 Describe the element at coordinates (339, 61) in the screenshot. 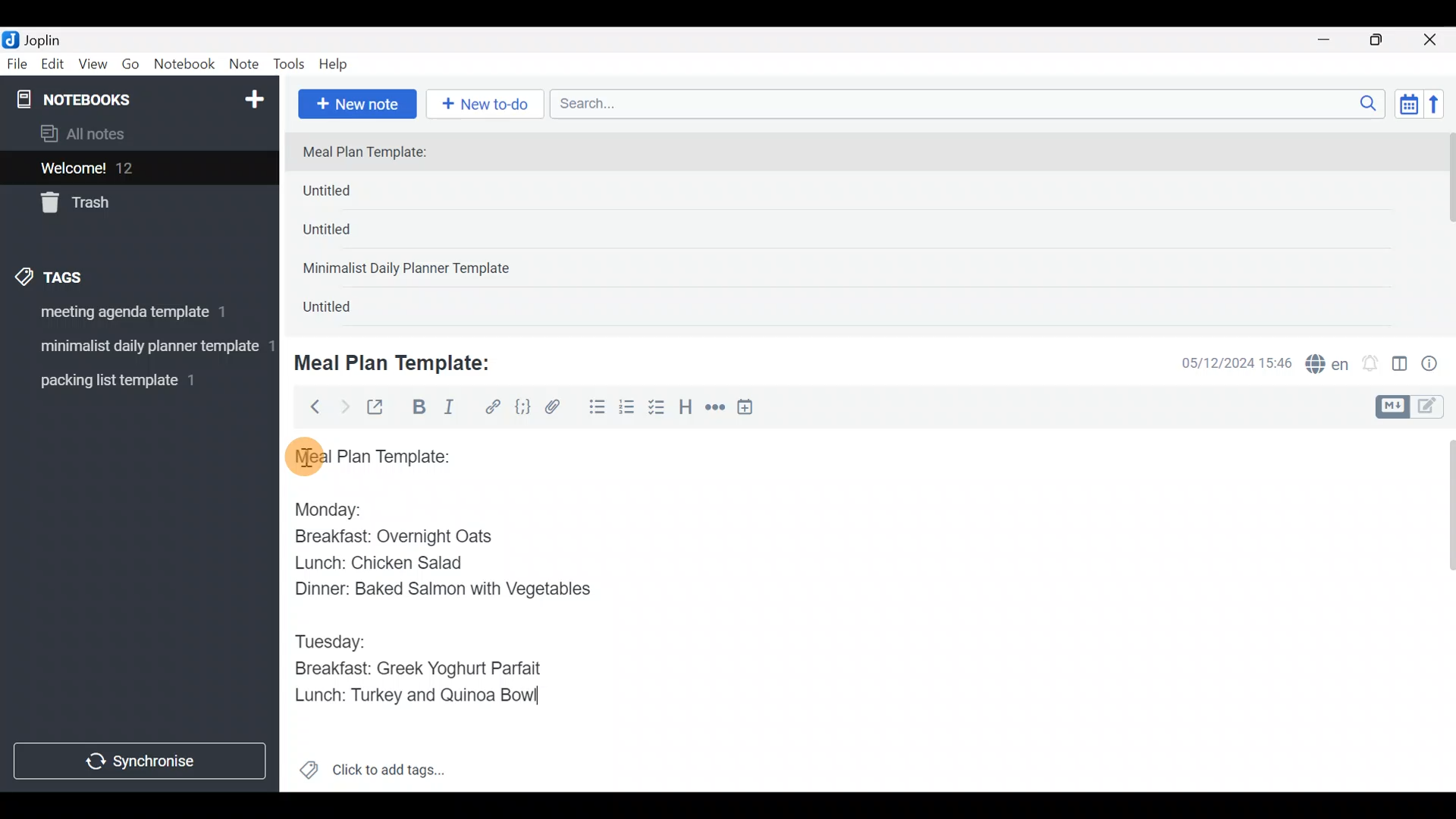

I see `Help` at that location.